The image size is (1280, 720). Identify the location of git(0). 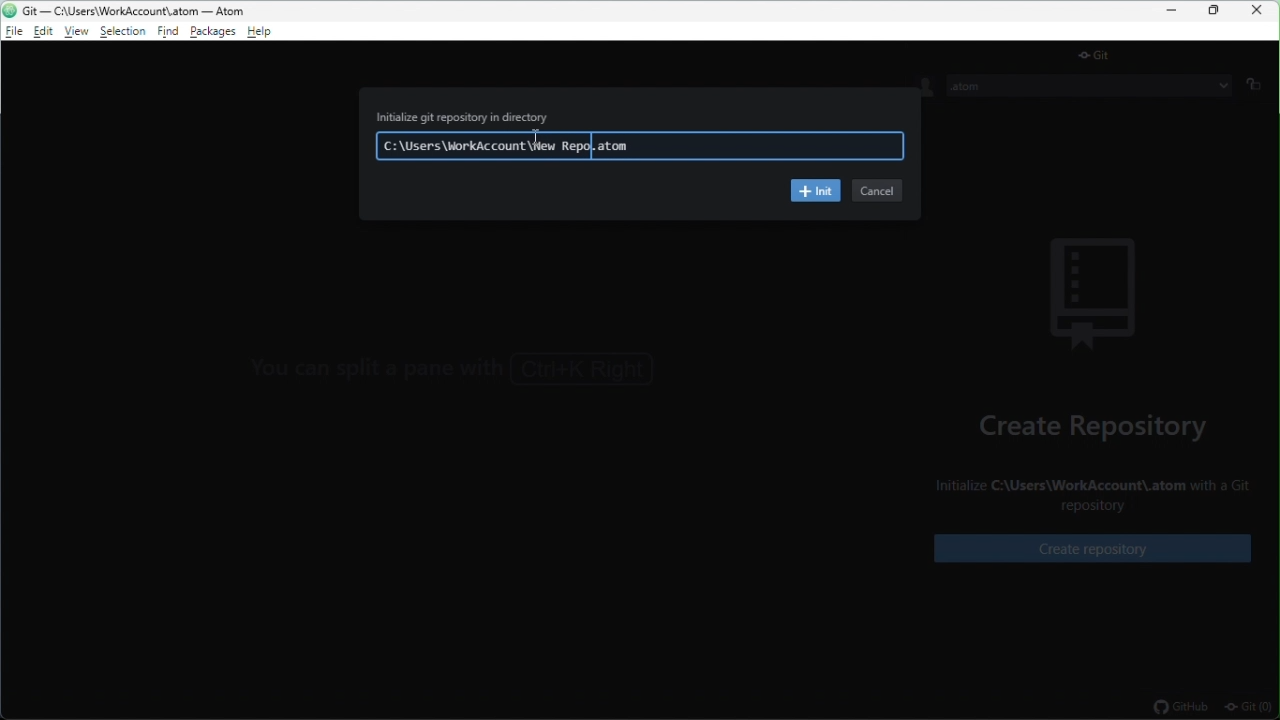
(1249, 709).